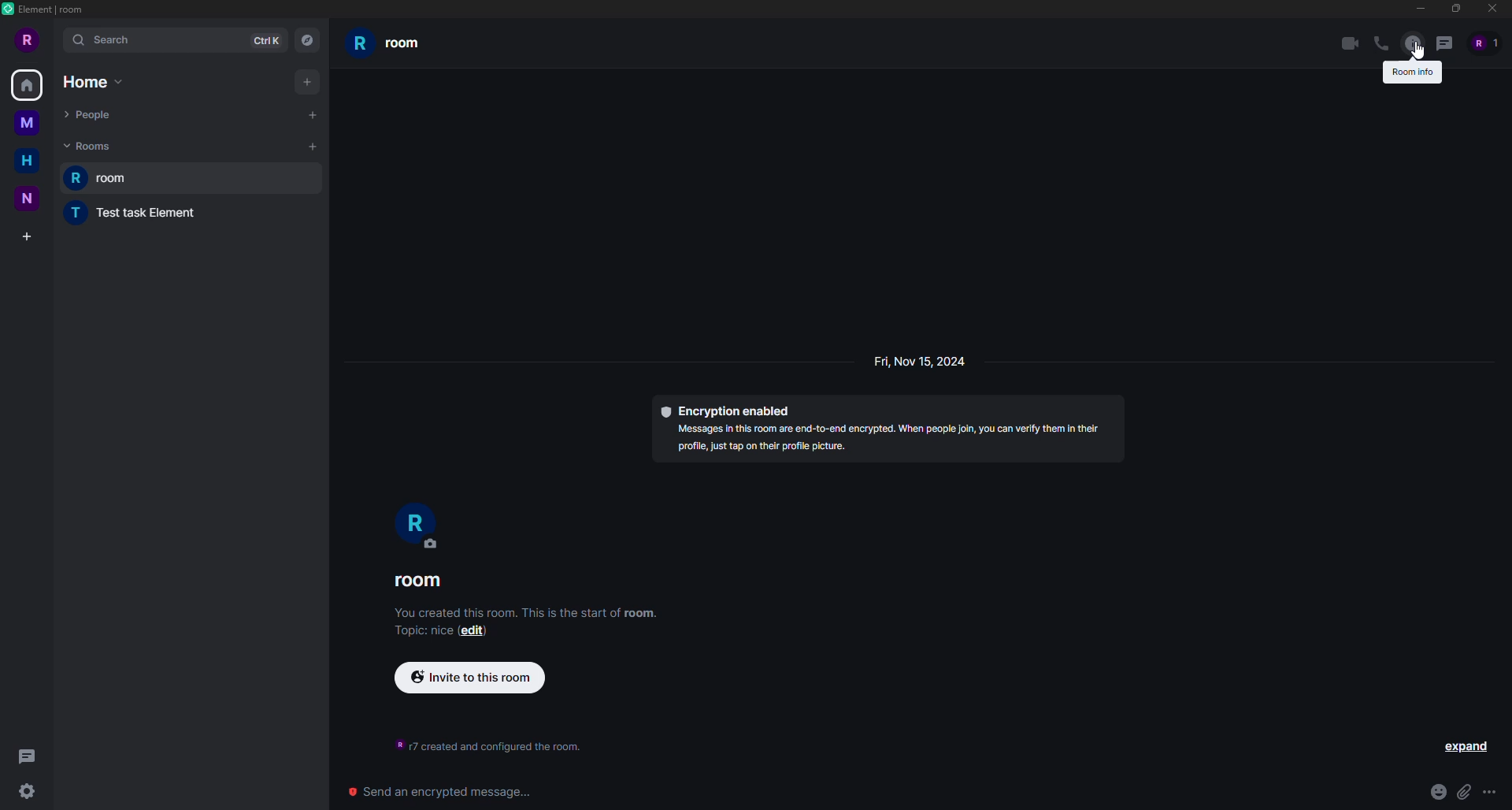 The width and height of the screenshot is (1512, 810). What do you see at coordinates (31, 756) in the screenshot?
I see `threads` at bounding box center [31, 756].